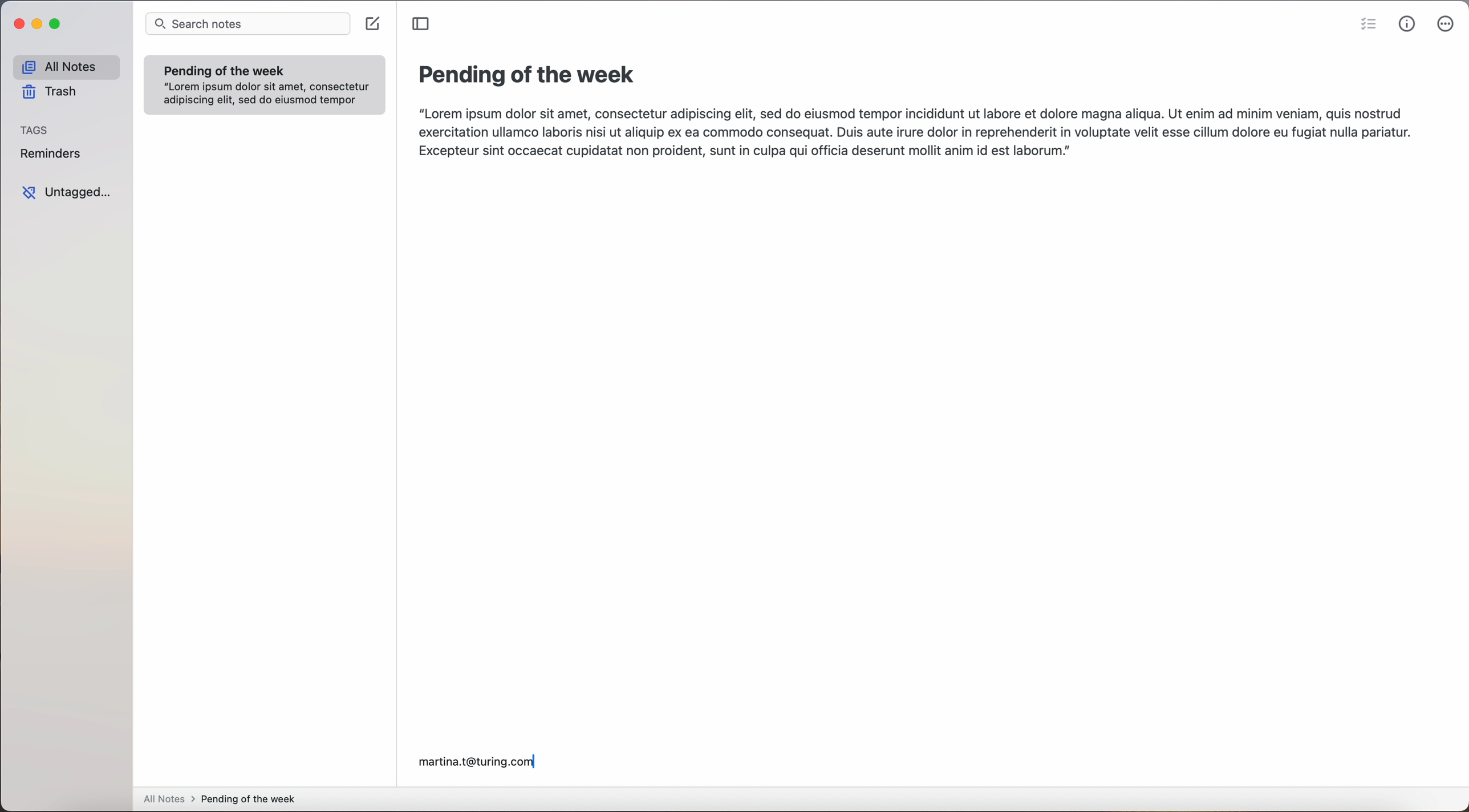 The image size is (1469, 812). I want to click on trash, so click(52, 94).